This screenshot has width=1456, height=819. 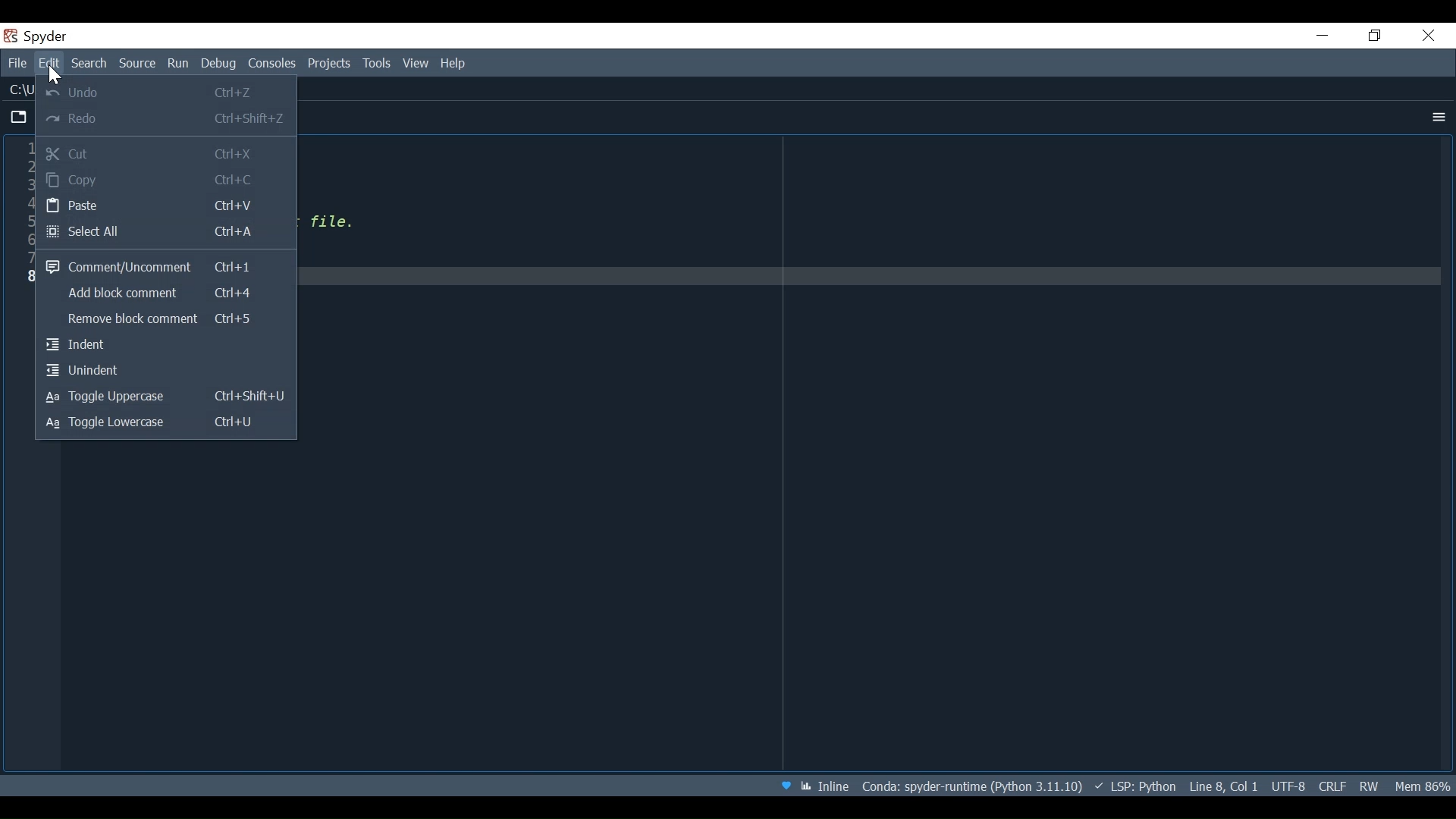 What do you see at coordinates (1135, 785) in the screenshot?
I see `Language` at bounding box center [1135, 785].